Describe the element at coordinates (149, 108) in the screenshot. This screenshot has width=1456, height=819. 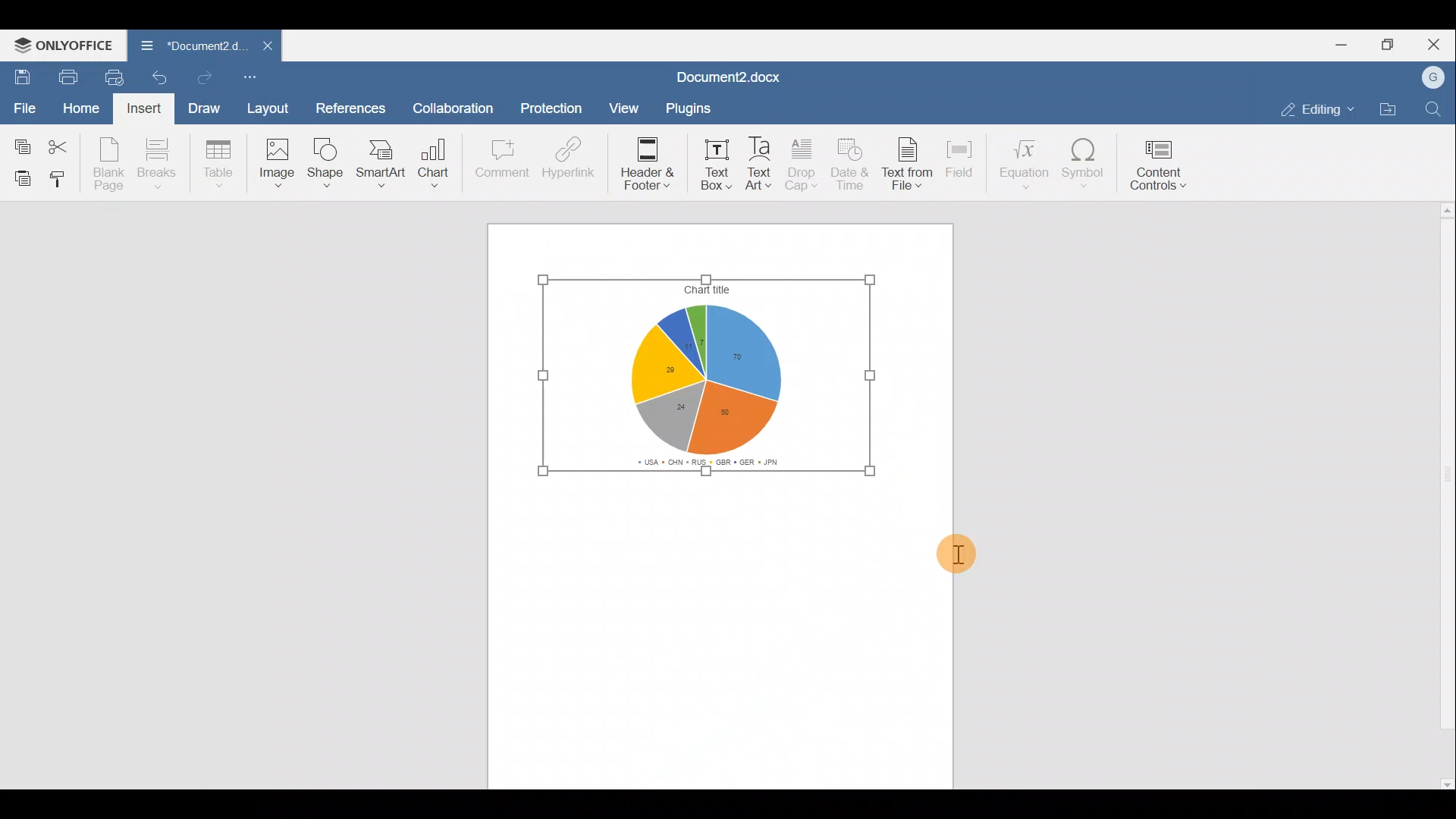
I see `Cursor on Insert` at that location.